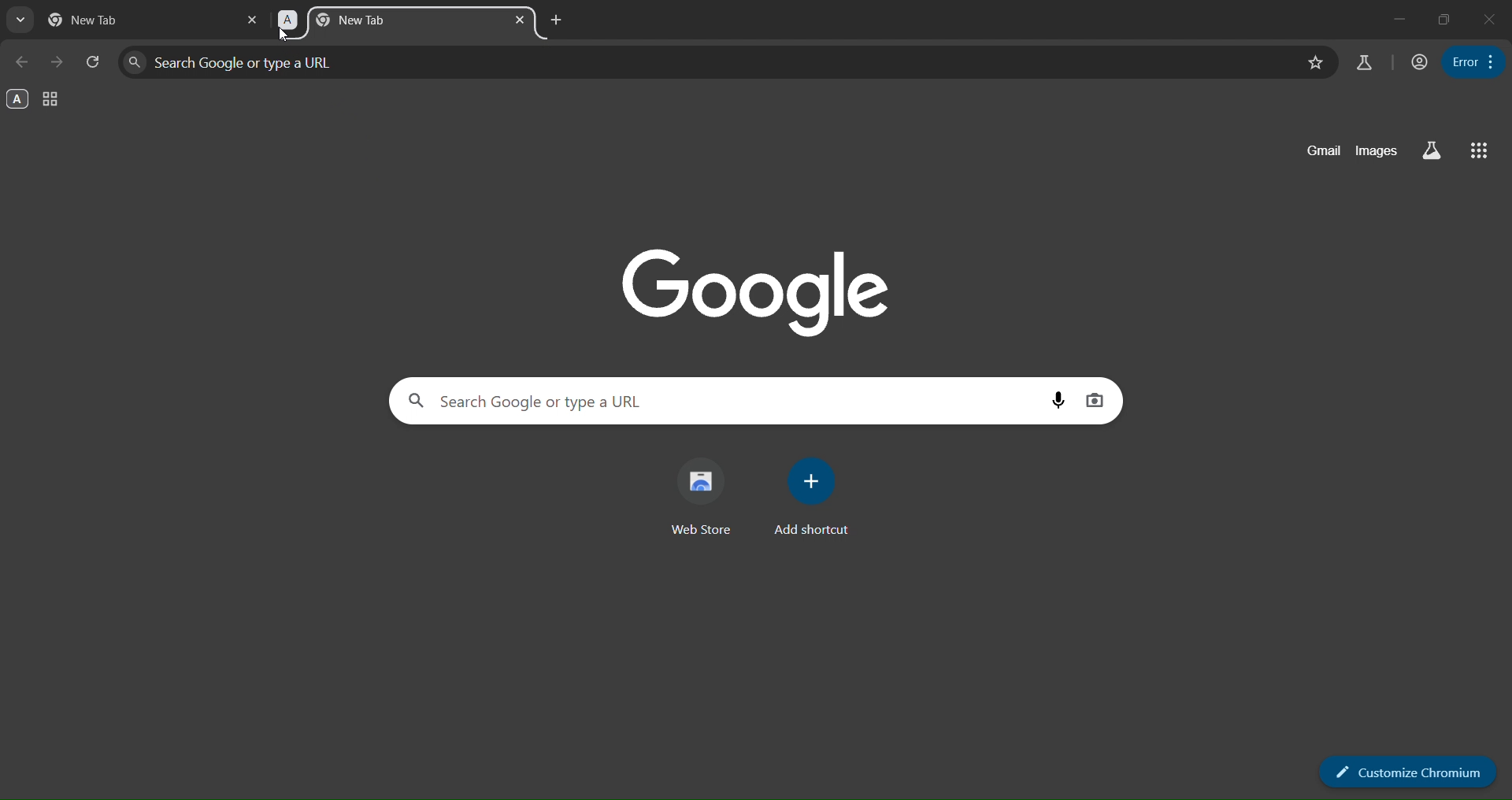  I want to click on go back one page, so click(24, 62).